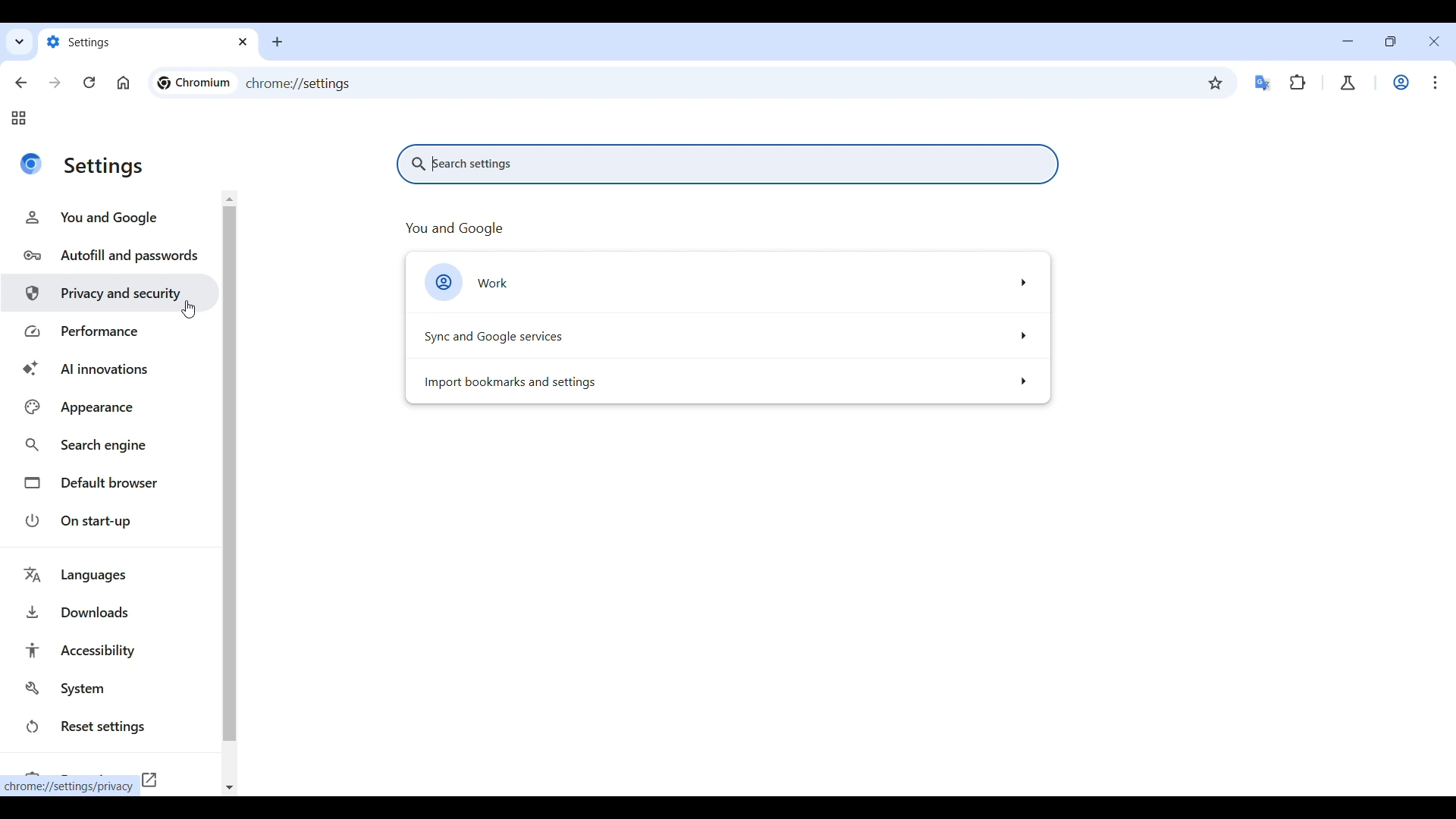  What do you see at coordinates (104, 167) in the screenshot?
I see `settings` at bounding box center [104, 167].